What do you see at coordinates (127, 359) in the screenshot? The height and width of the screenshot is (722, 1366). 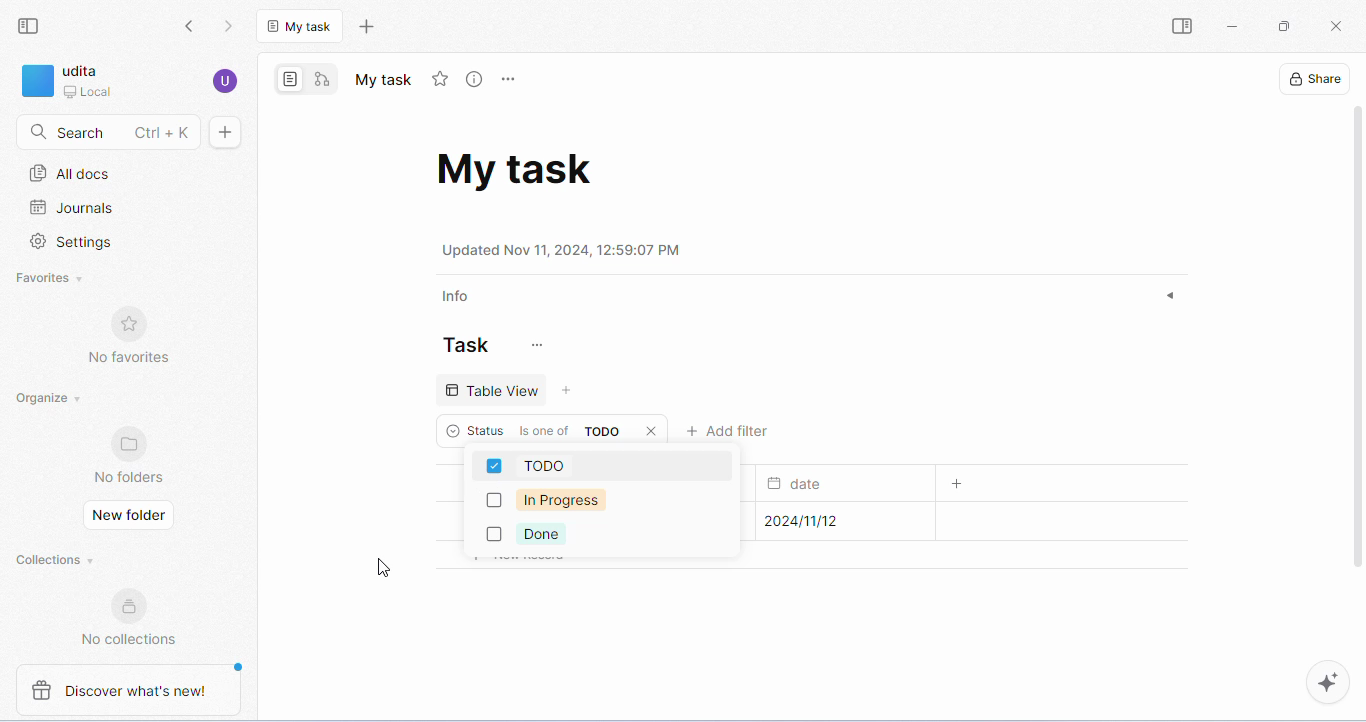 I see `no favorites` at bounding box center [127, 359].